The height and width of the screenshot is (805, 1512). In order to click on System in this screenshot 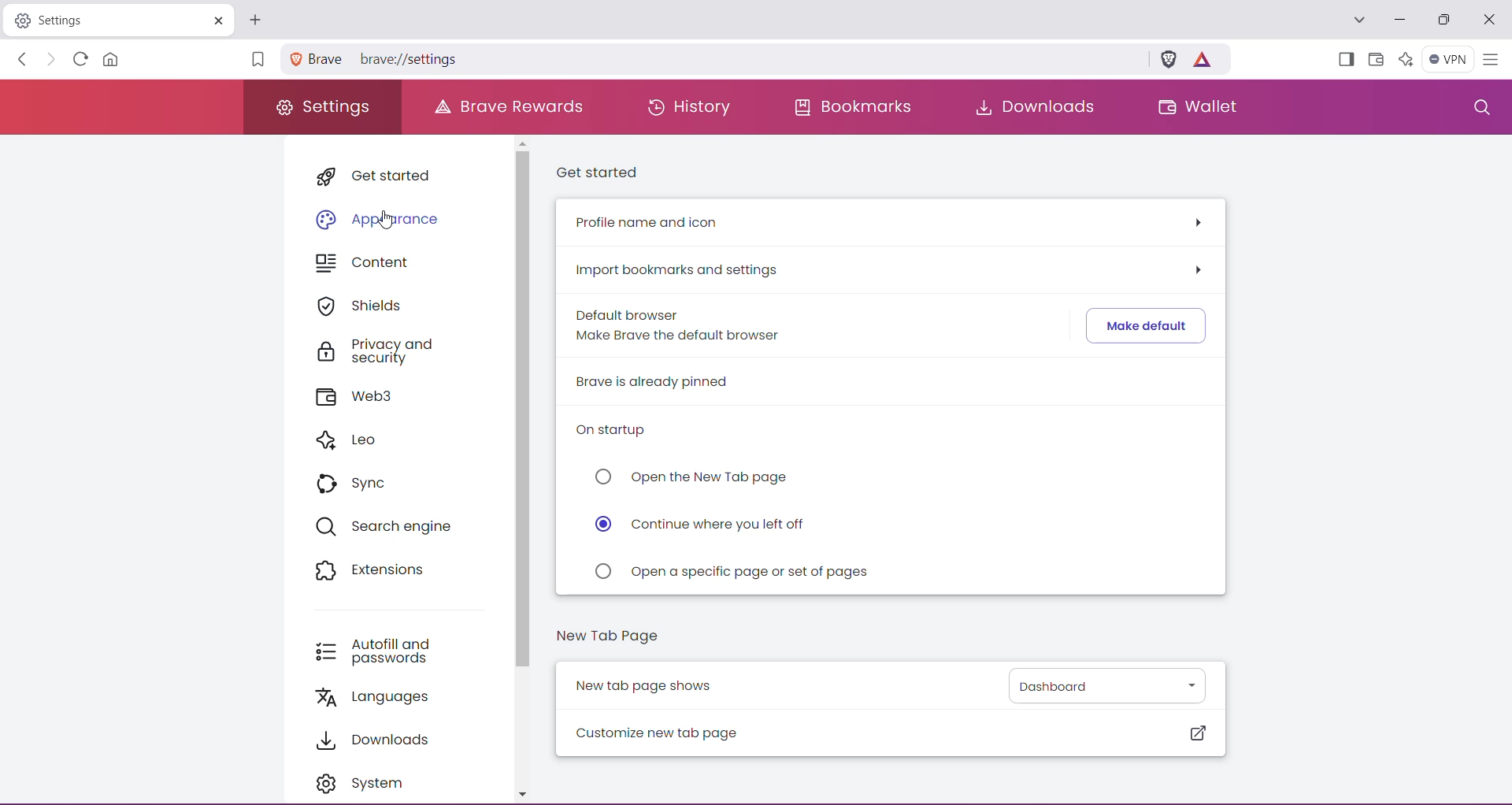, I will do `click(361, 782)`.